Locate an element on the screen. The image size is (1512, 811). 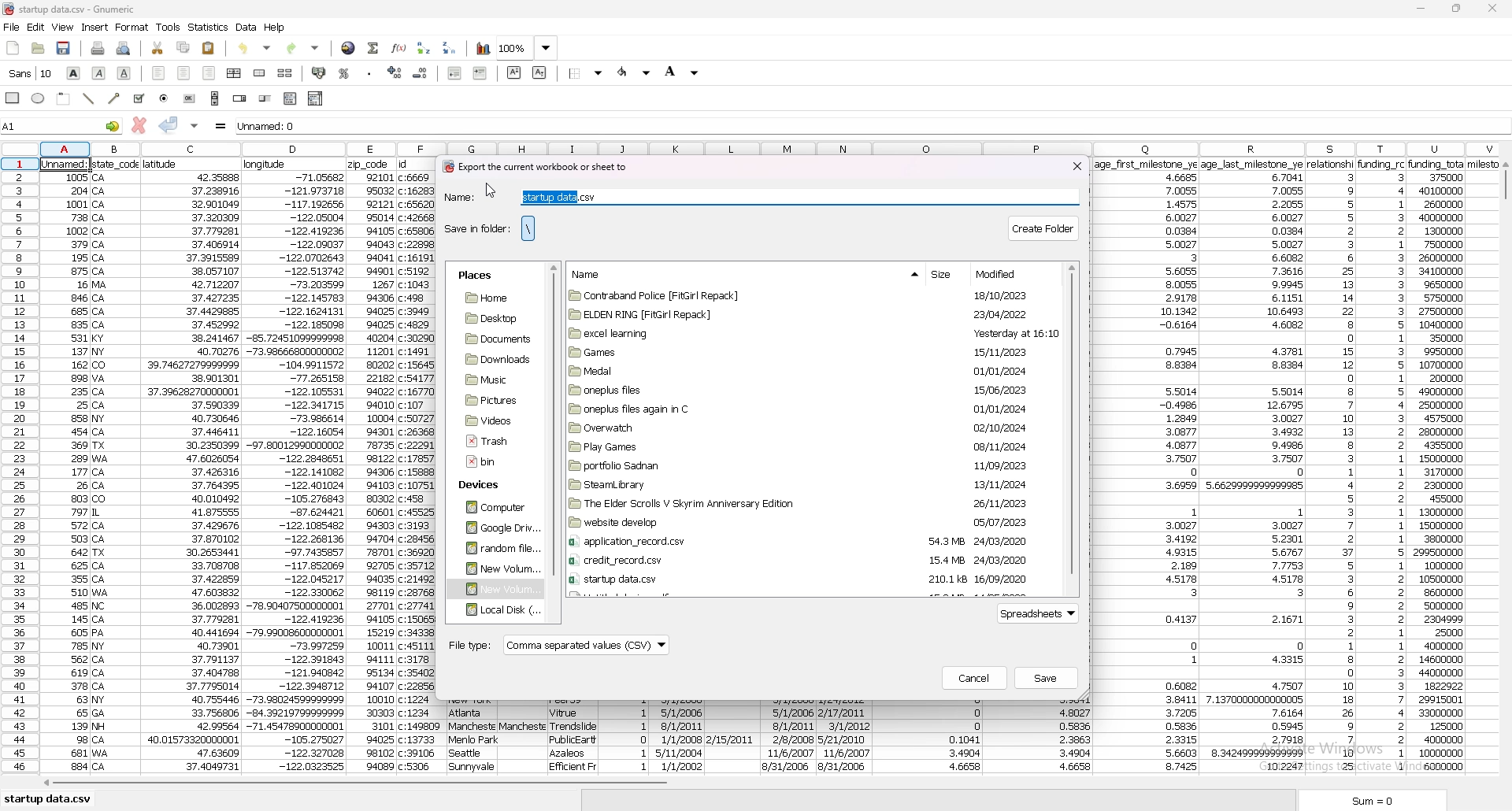
file is located at coordinates (491, 441).